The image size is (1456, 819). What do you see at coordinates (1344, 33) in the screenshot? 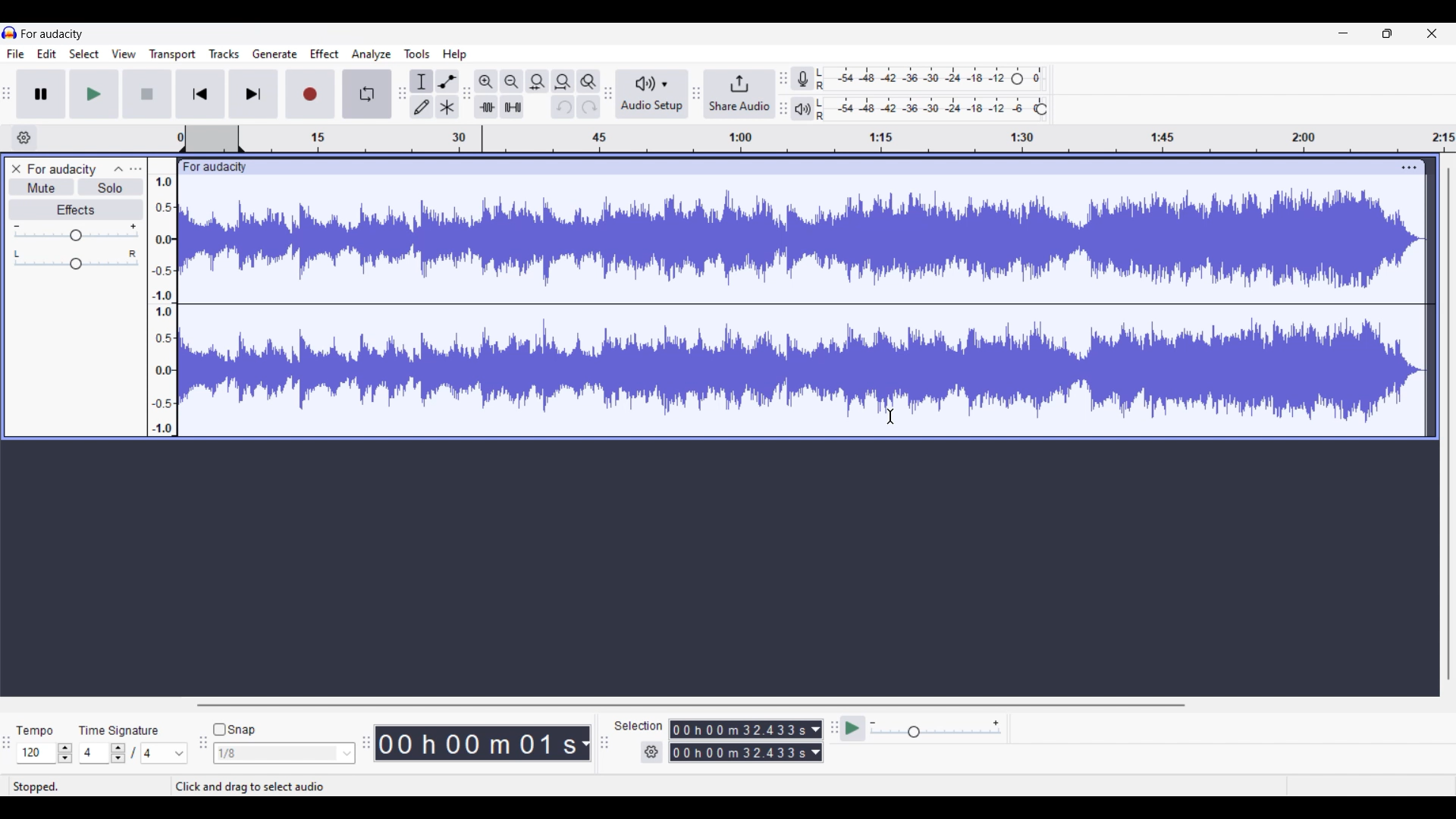
I see `Minimize` at bounding box center [1344, 33].